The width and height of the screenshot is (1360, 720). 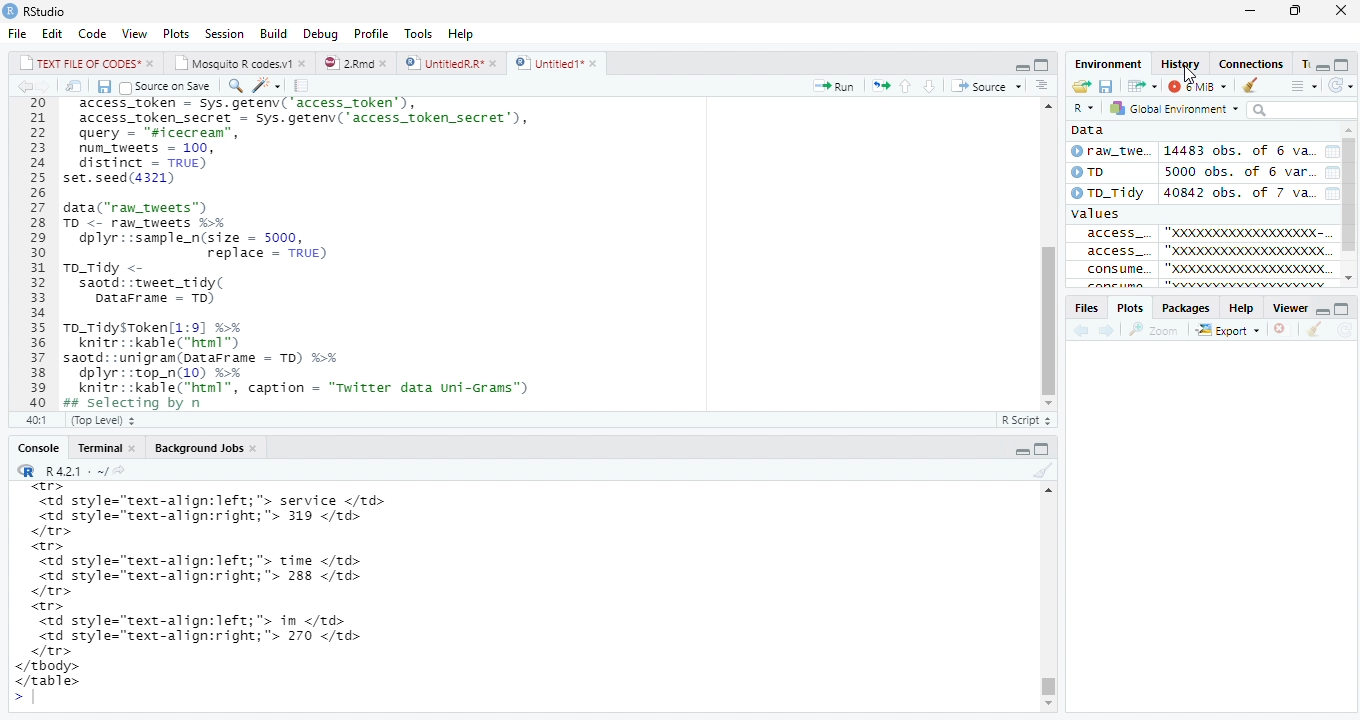 I want to click on forward/backward source location, so click(x=1093, y=329).